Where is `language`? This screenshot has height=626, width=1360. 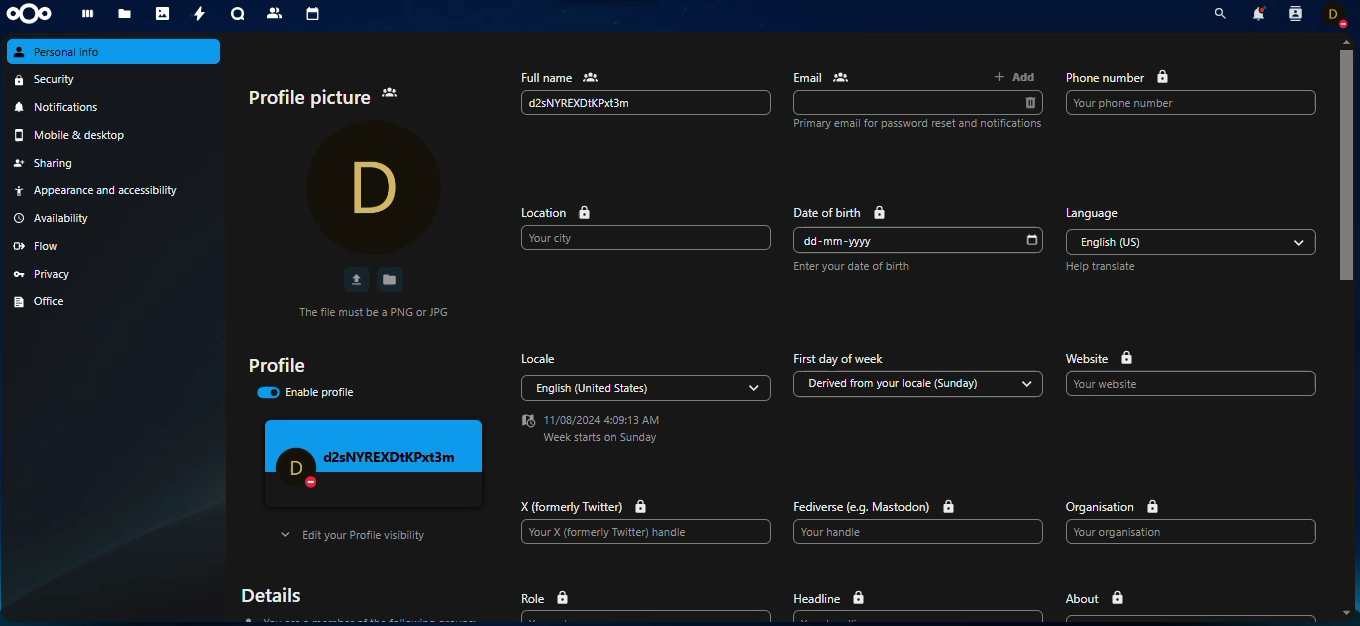 language is located at coordinates (1094, 214).